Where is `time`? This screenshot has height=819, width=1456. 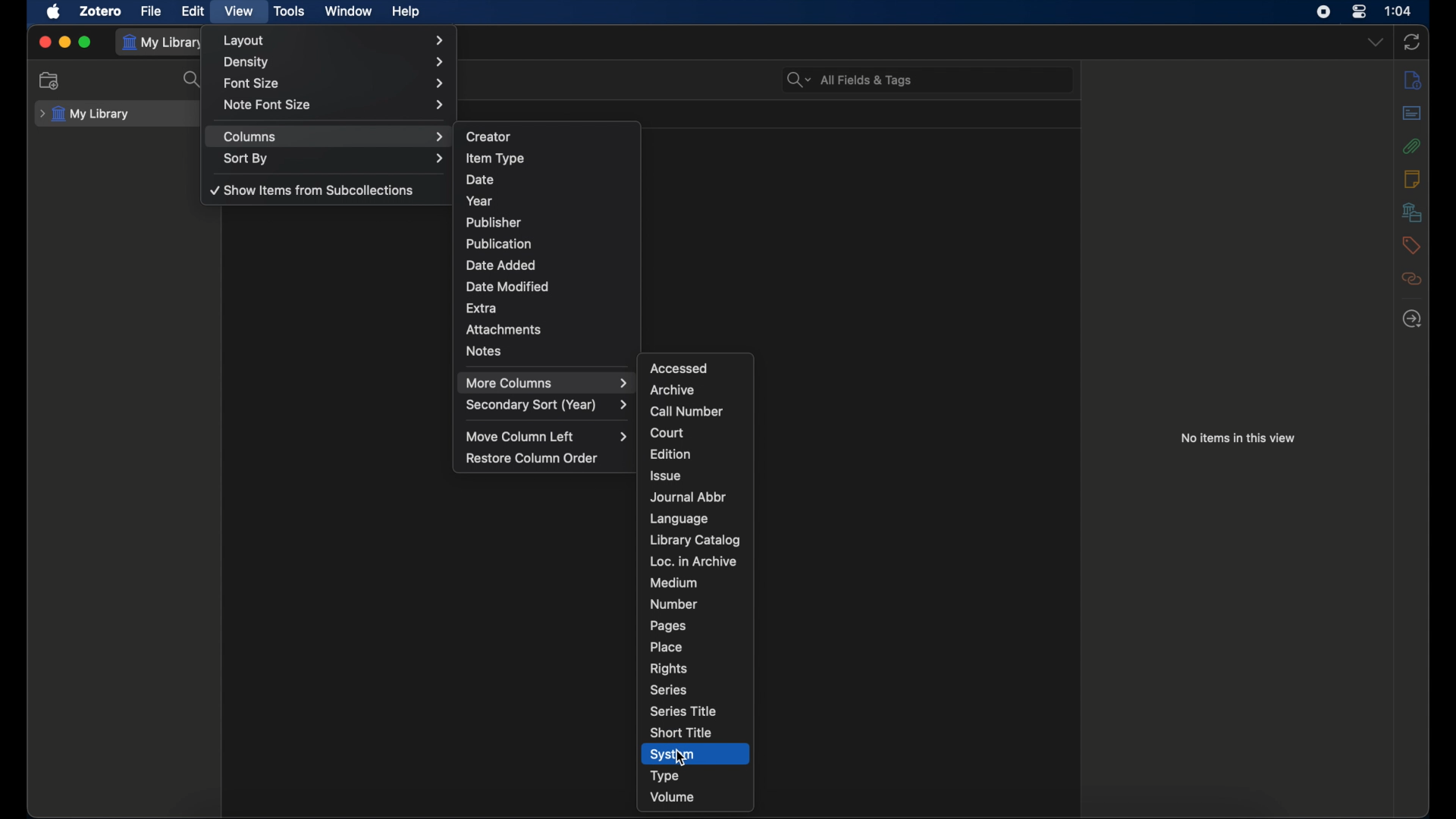 time is located at coordinates (1398, 10).